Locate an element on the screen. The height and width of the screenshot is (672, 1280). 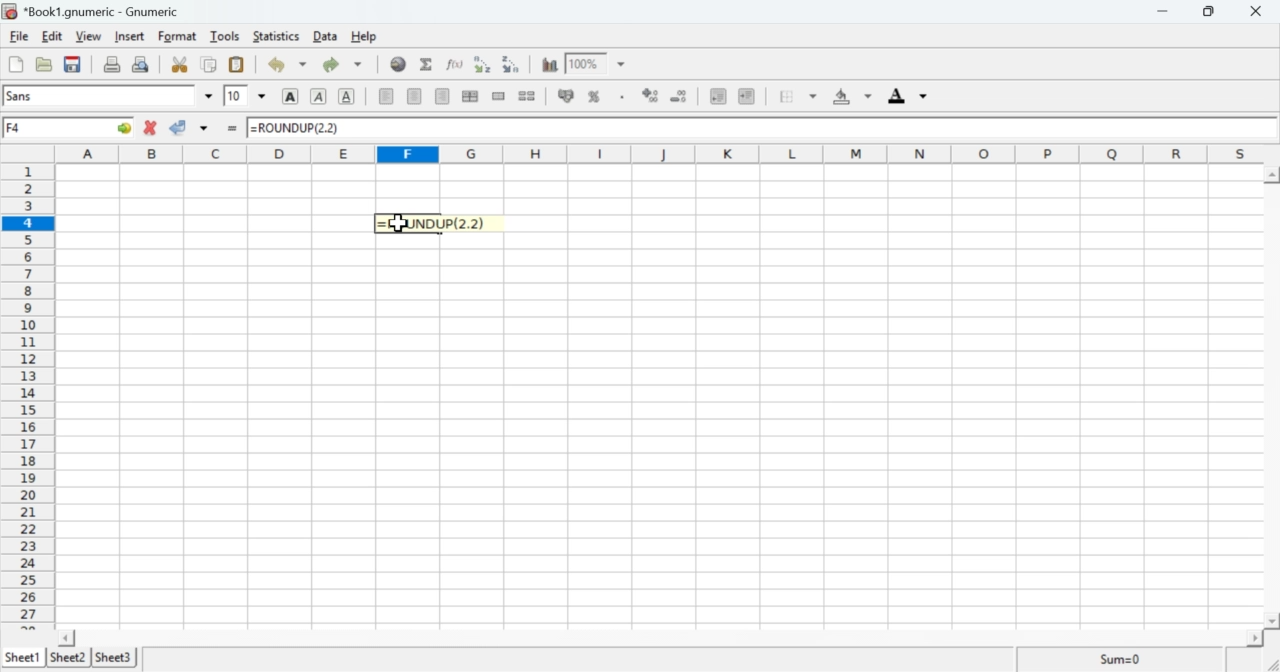
Data is located at coordinates (322, 36).